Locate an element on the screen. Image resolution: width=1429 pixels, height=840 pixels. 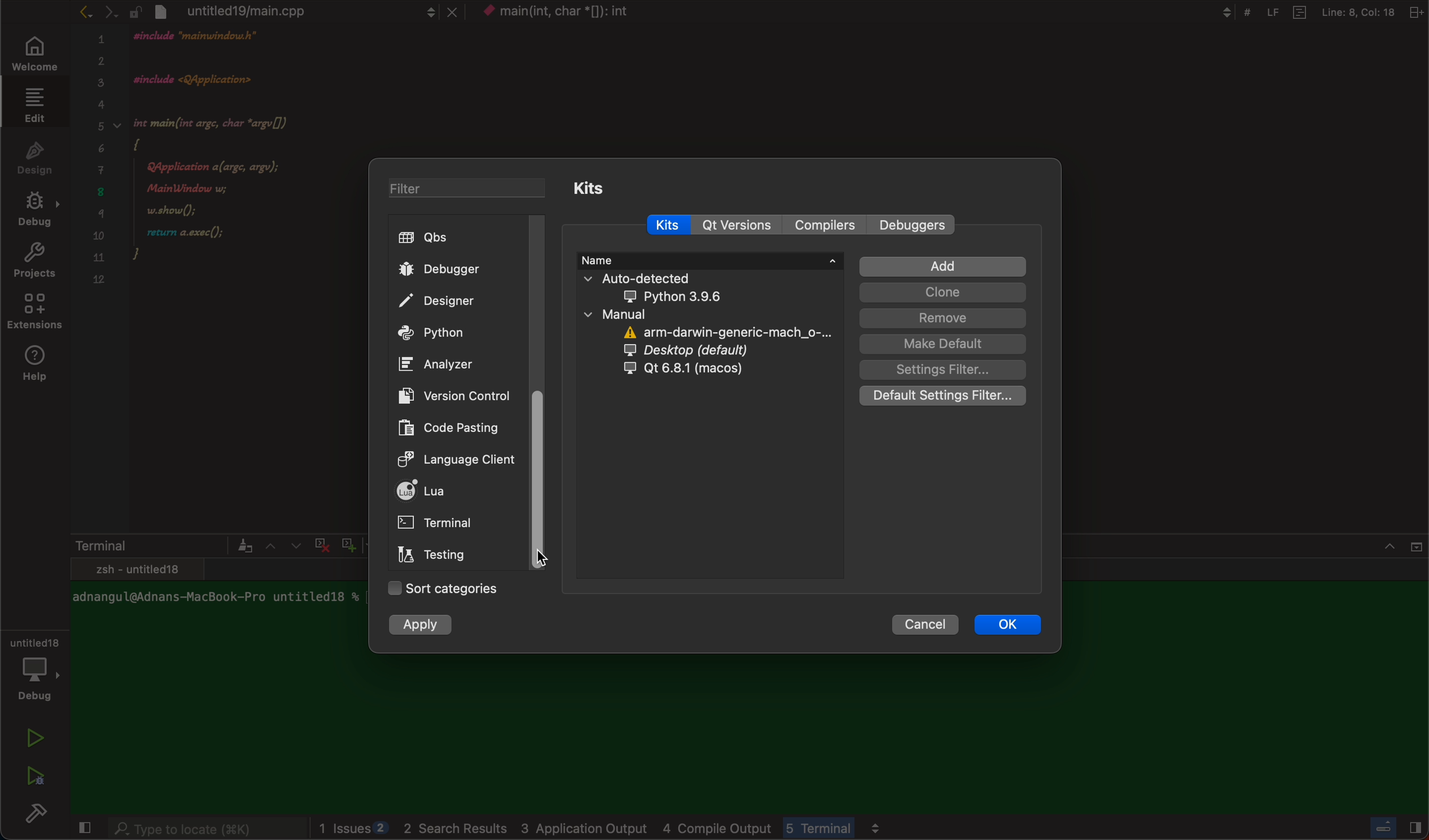
debugger is located at coordinates (34, 667).